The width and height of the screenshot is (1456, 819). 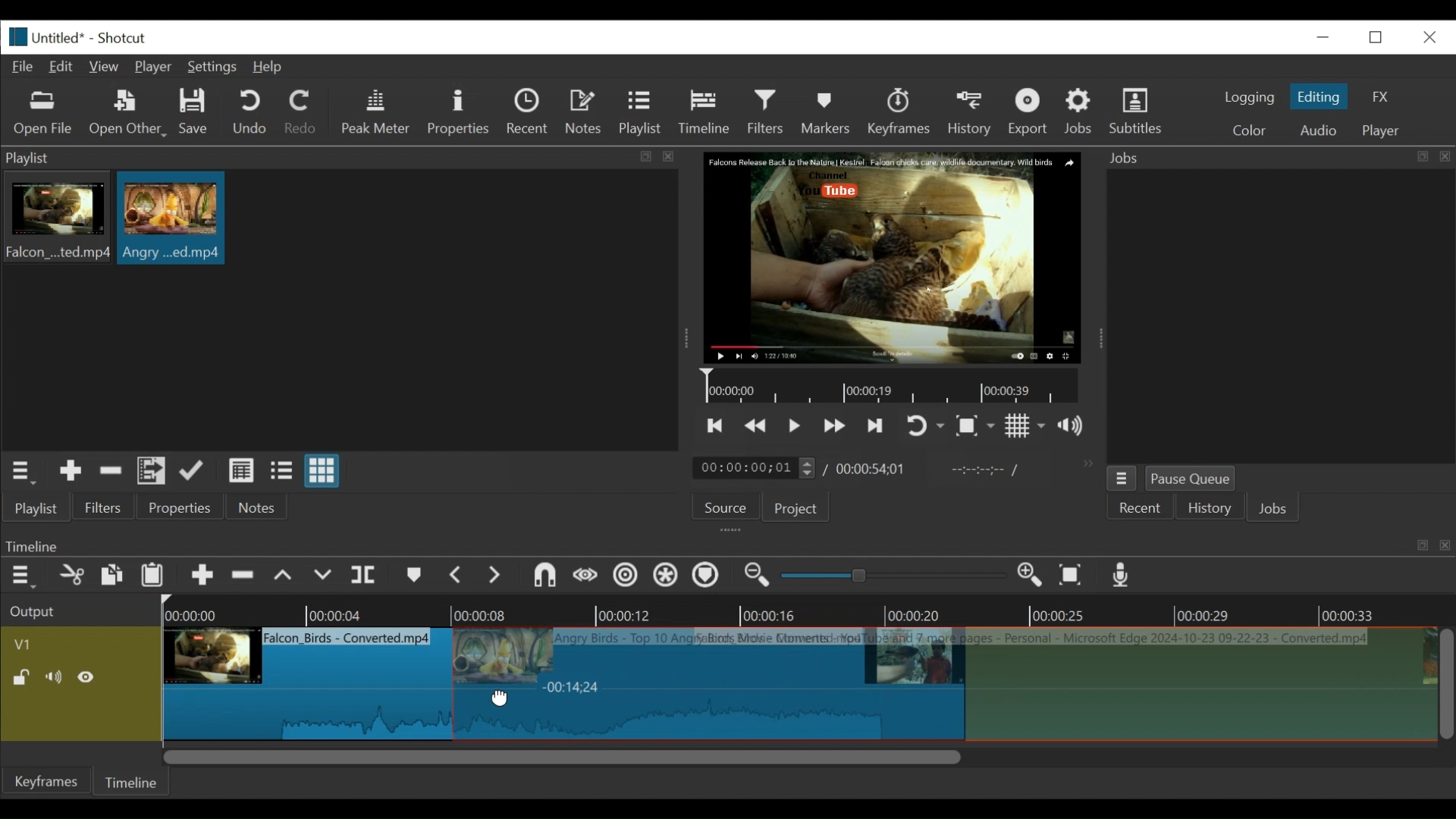 I want to click on update, so click(x=195, y=474).